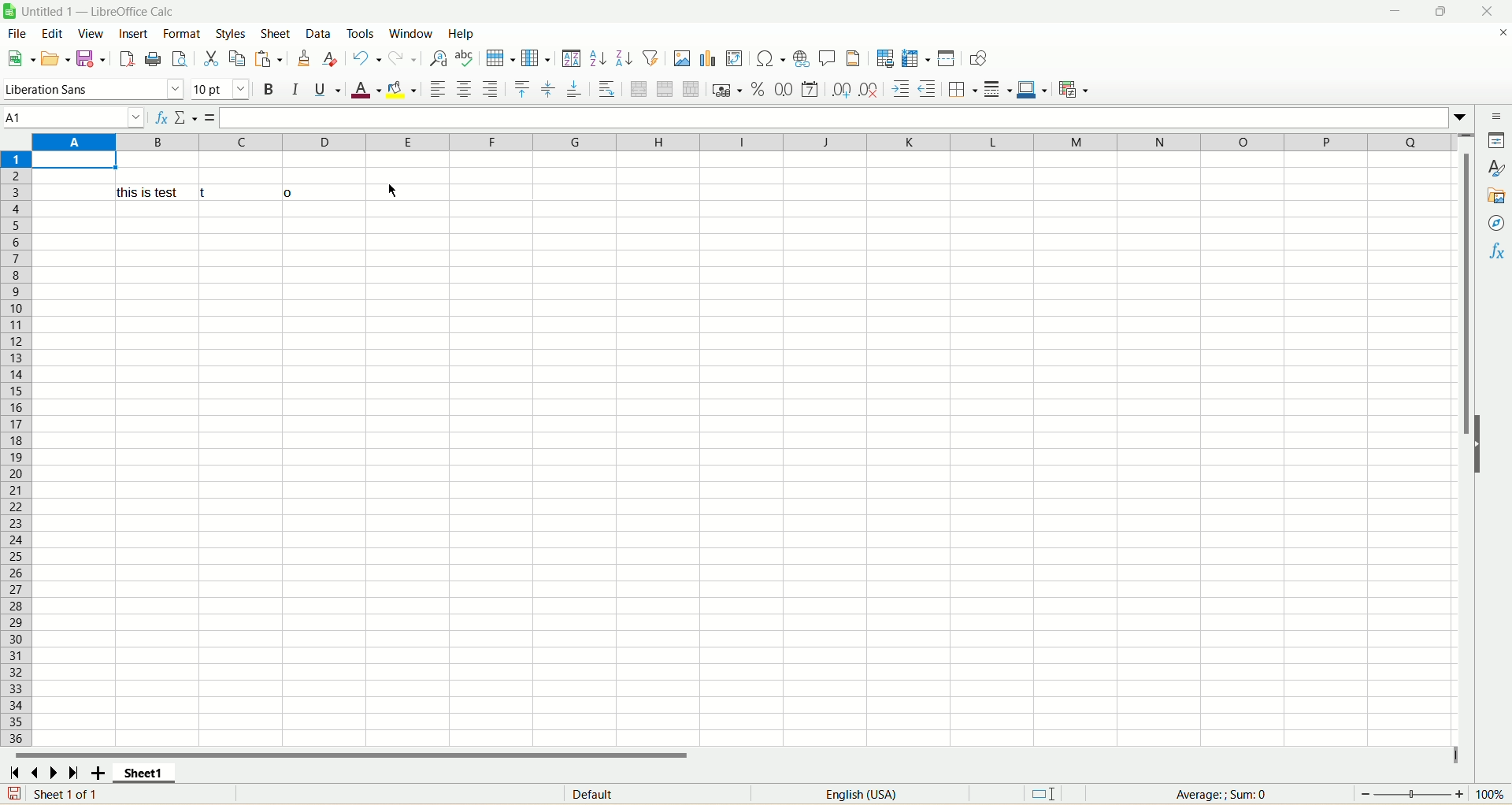 Image resolution: width=1512 pixels, height=805 pixels. I want to click on header and footers, so click(854, 58).